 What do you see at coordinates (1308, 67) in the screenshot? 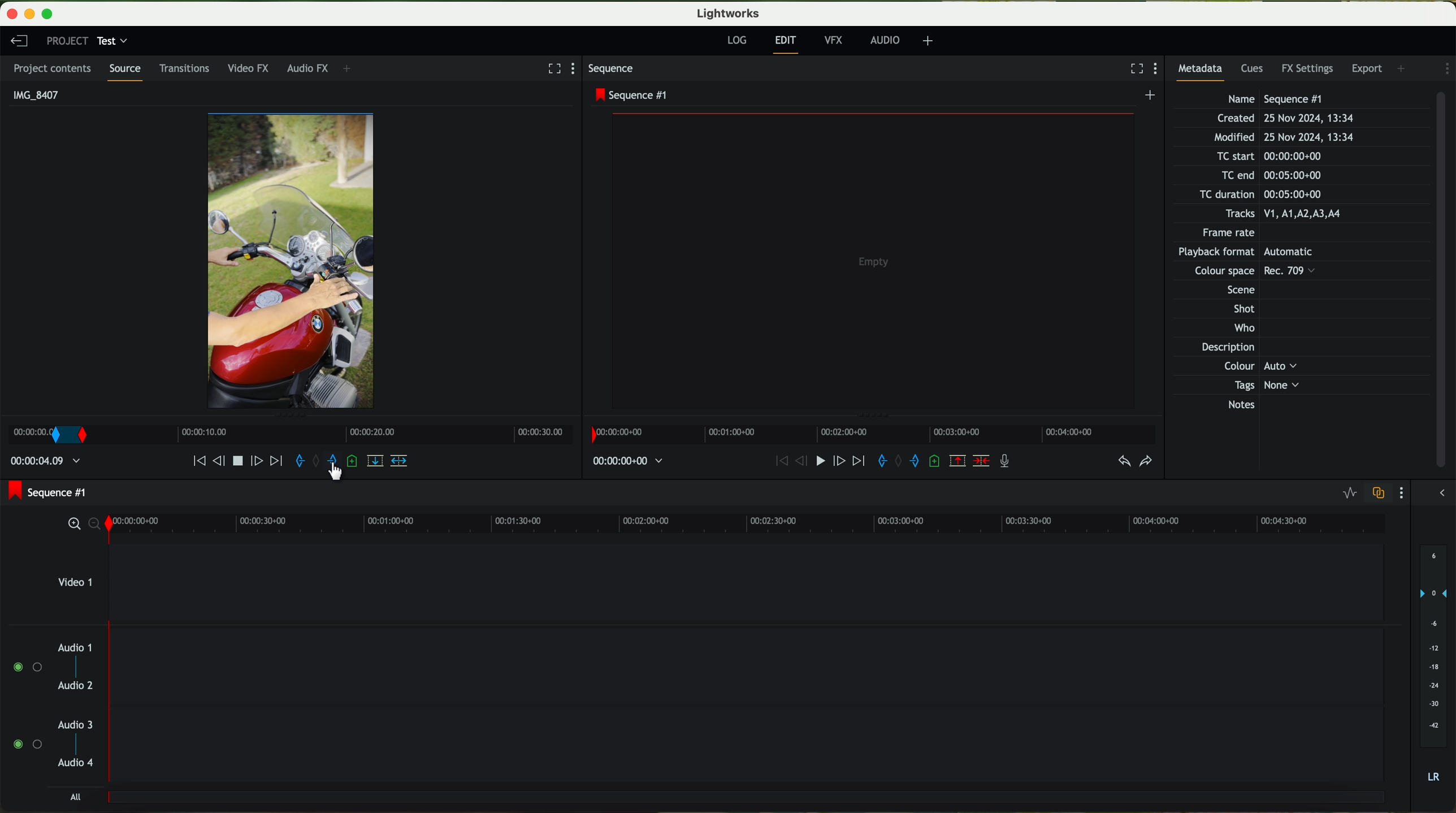
I see `FX settings` at bounding box center [1308, 67].